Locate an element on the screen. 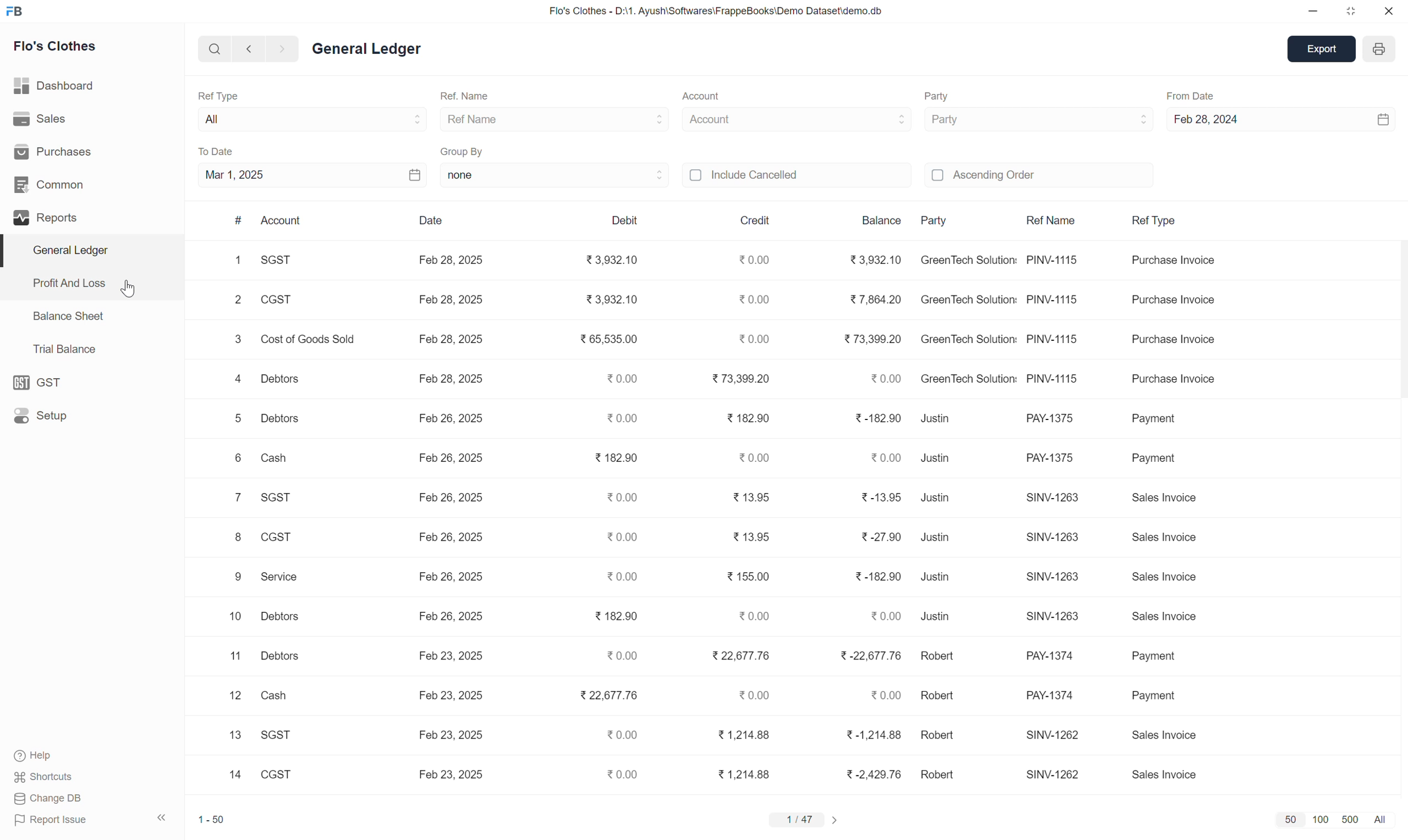 The height and width of the screenshot is (840, 1408). 14 is located at coordinates (225, 773).